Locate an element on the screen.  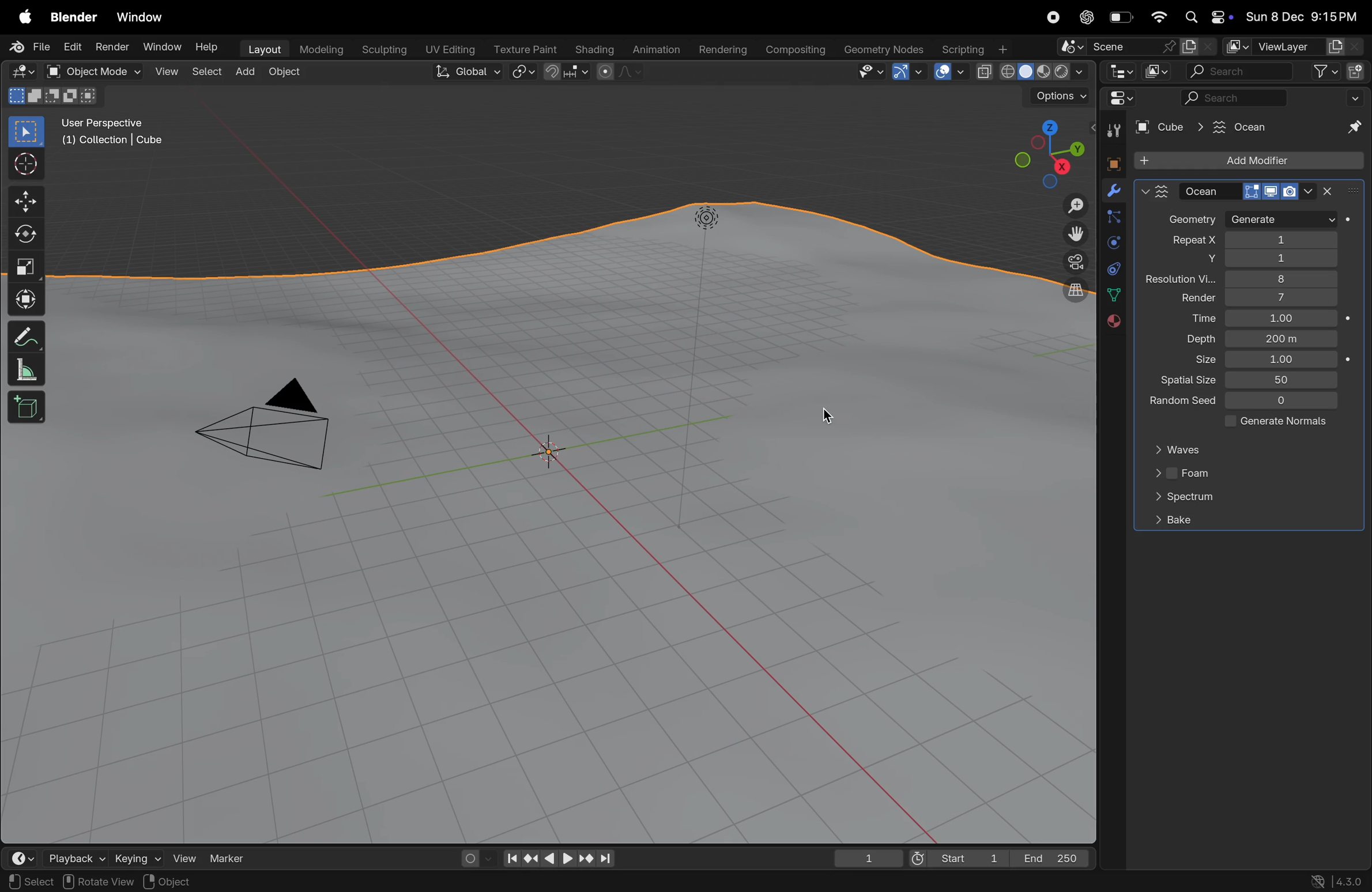
switch current view is located at coordinates (1069, 293).